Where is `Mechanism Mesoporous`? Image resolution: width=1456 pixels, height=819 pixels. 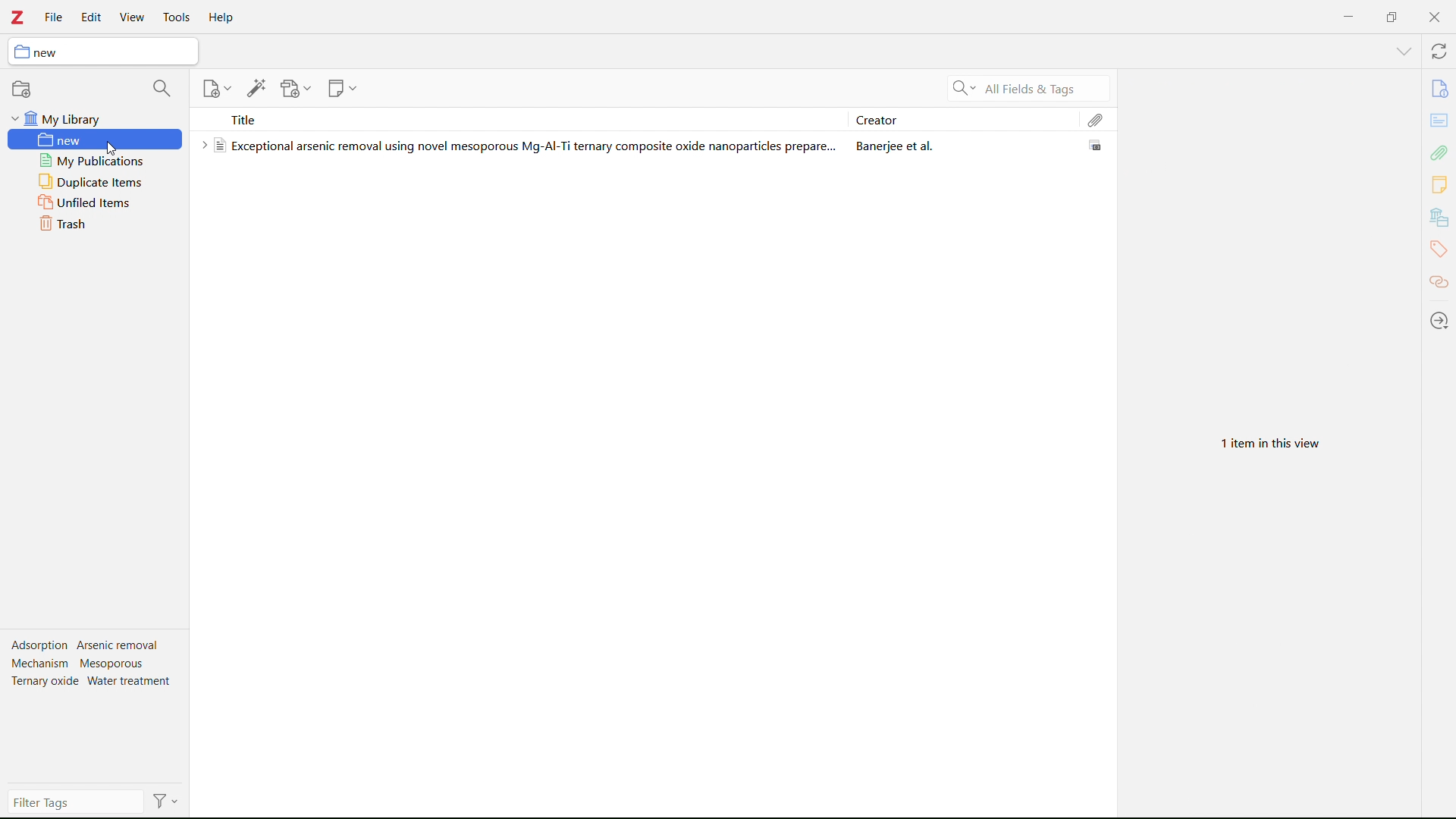 Mechanism Mesoporous is located at coordinates (83, 664).